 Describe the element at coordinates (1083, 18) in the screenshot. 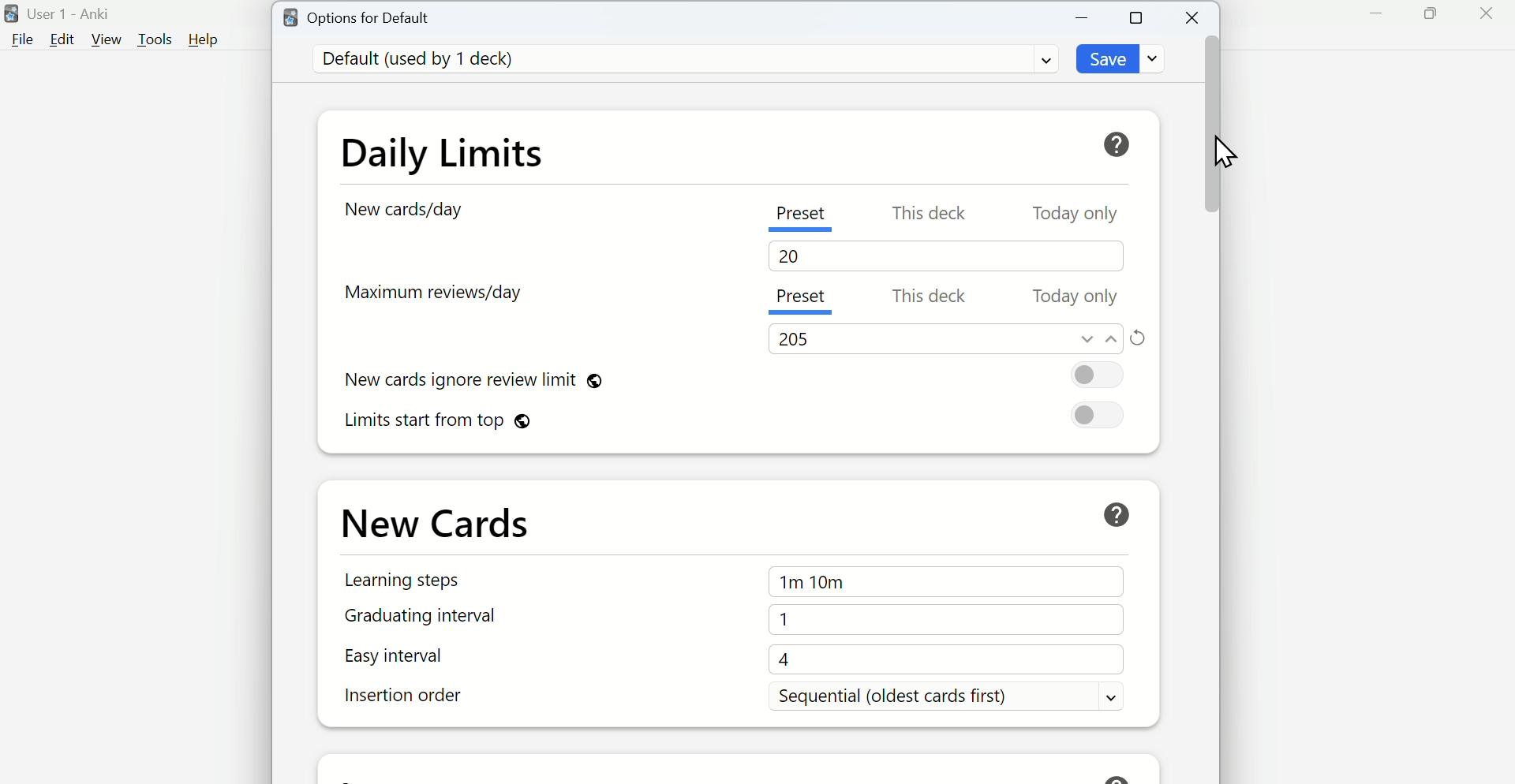

I see `Minimize` at that location.